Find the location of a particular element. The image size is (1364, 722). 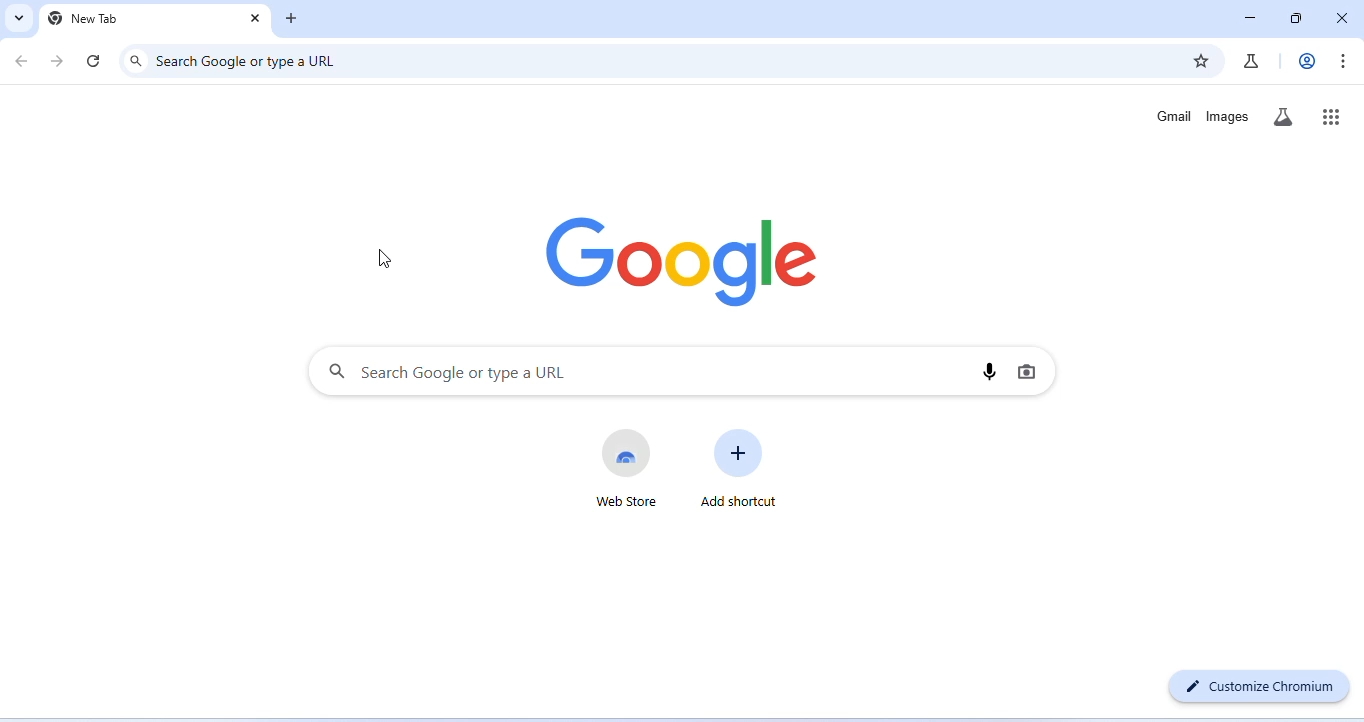

customize and control chromium is located at coordinates (1345, 61).